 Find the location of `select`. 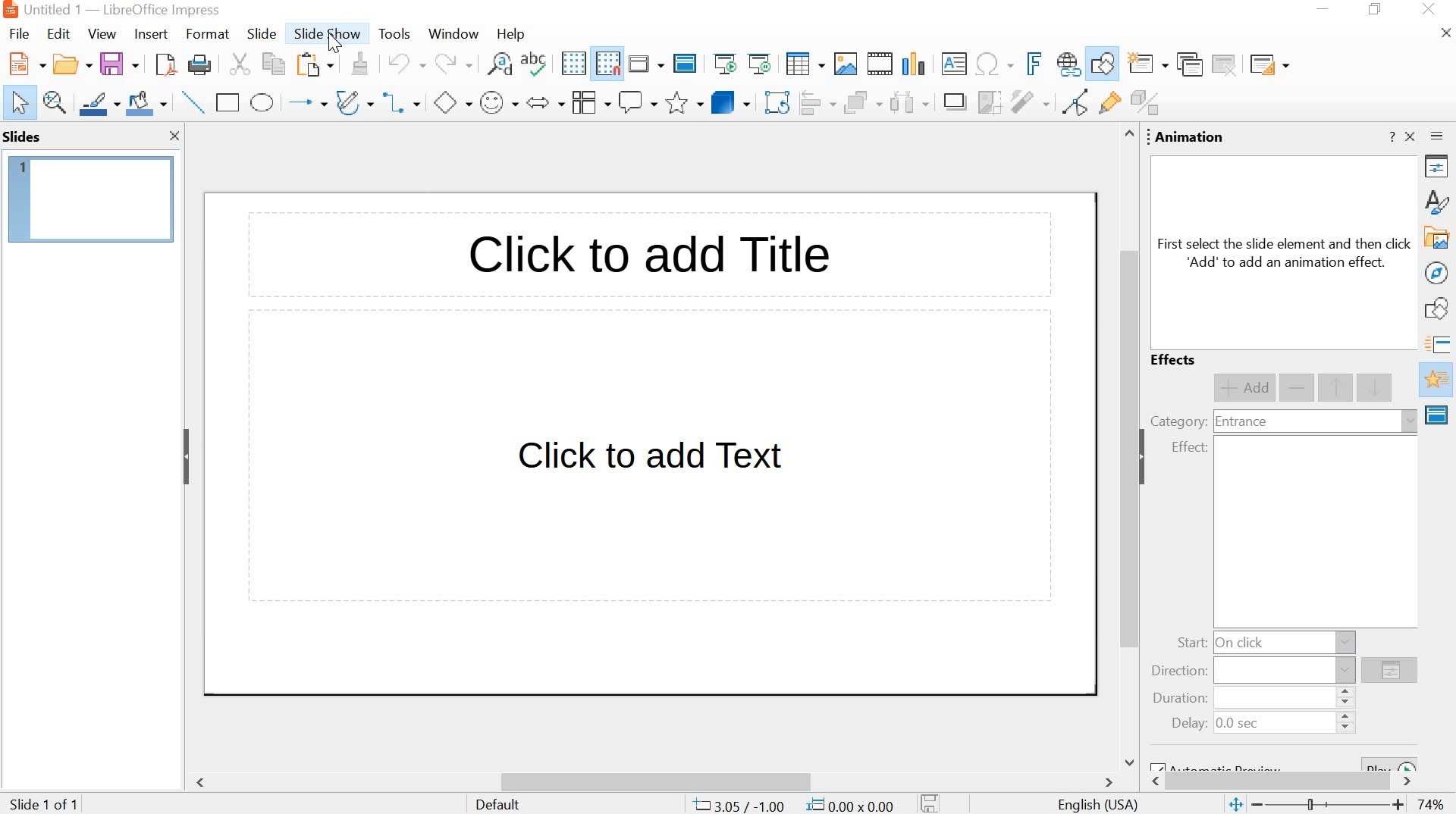

select is located at coordinates (20, 104).